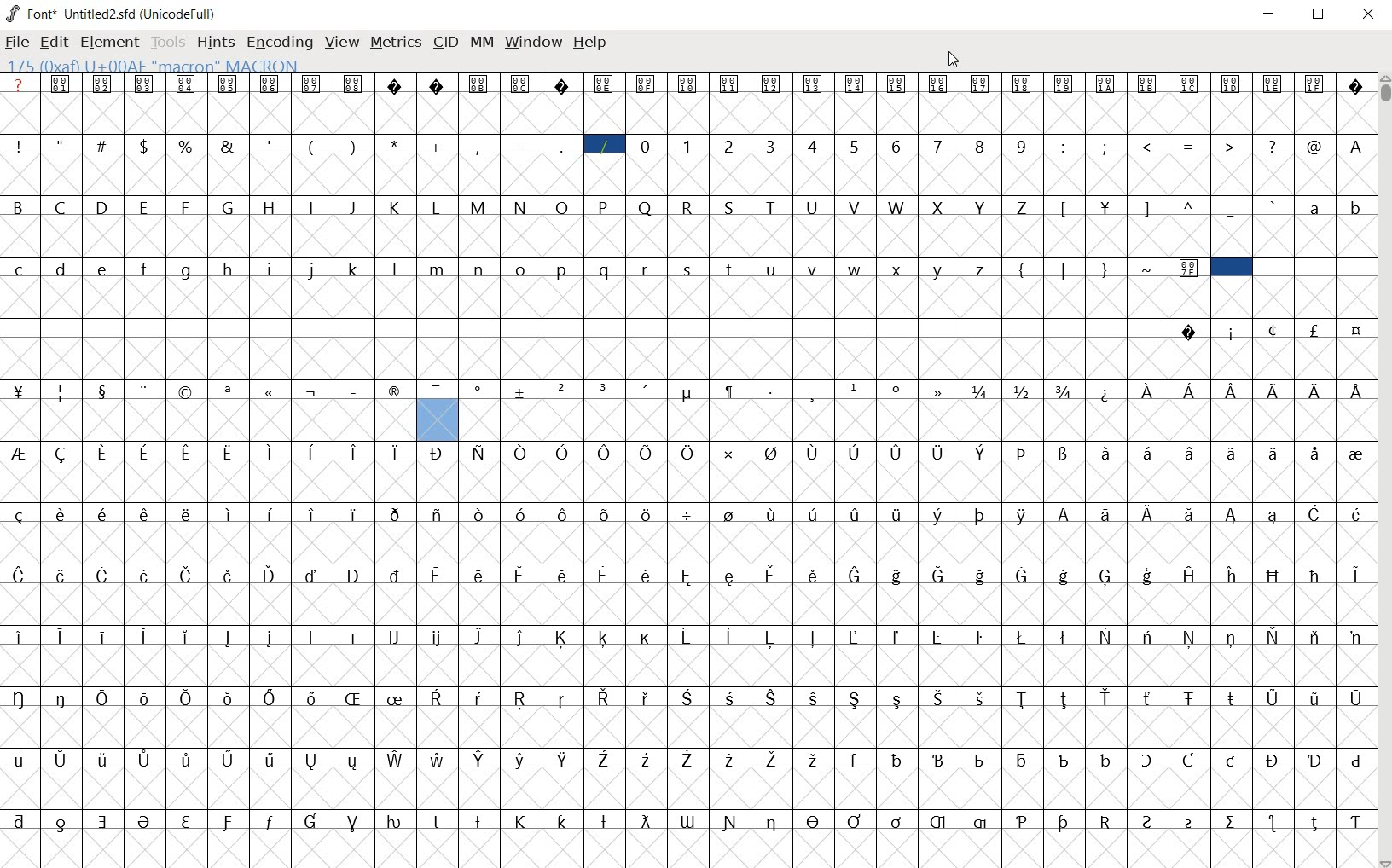 The width and height of the screenshot is (1392, 868). I want to click on q, so click(606, 269).